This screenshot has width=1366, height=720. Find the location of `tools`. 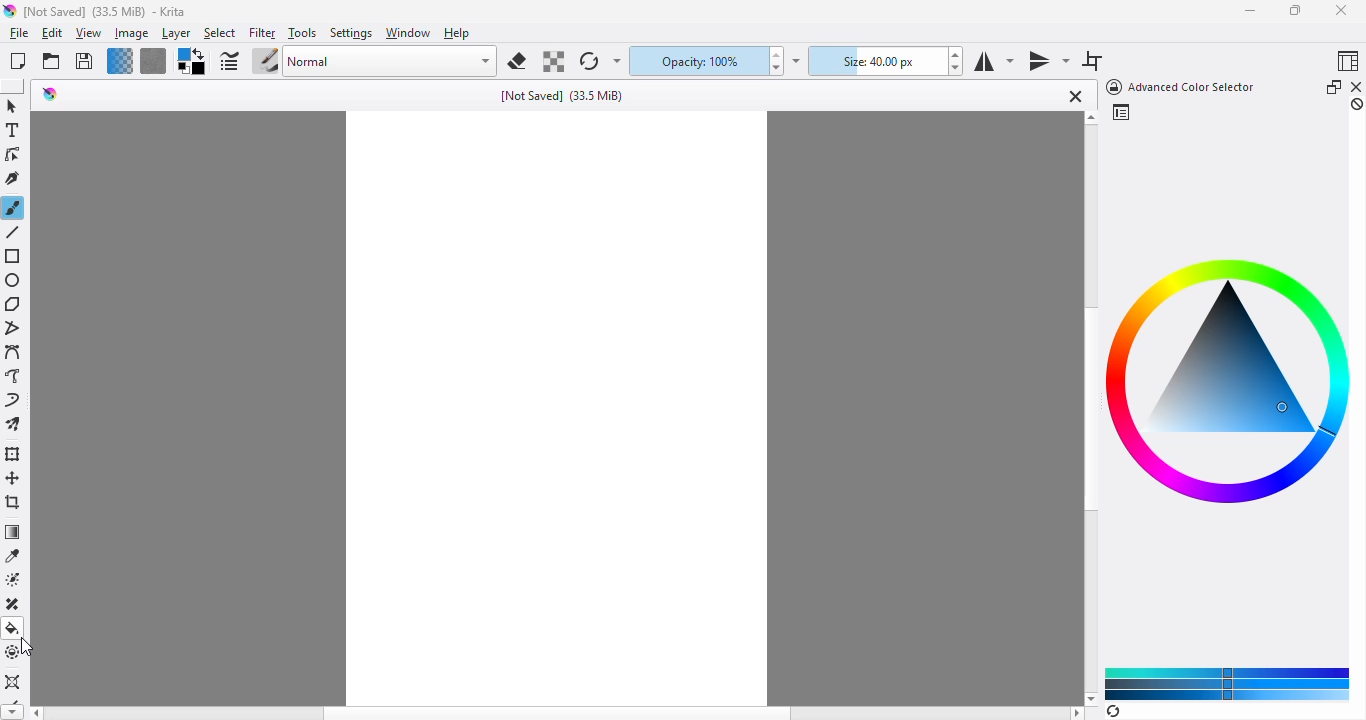

tools is located at coordinates (302, 33).